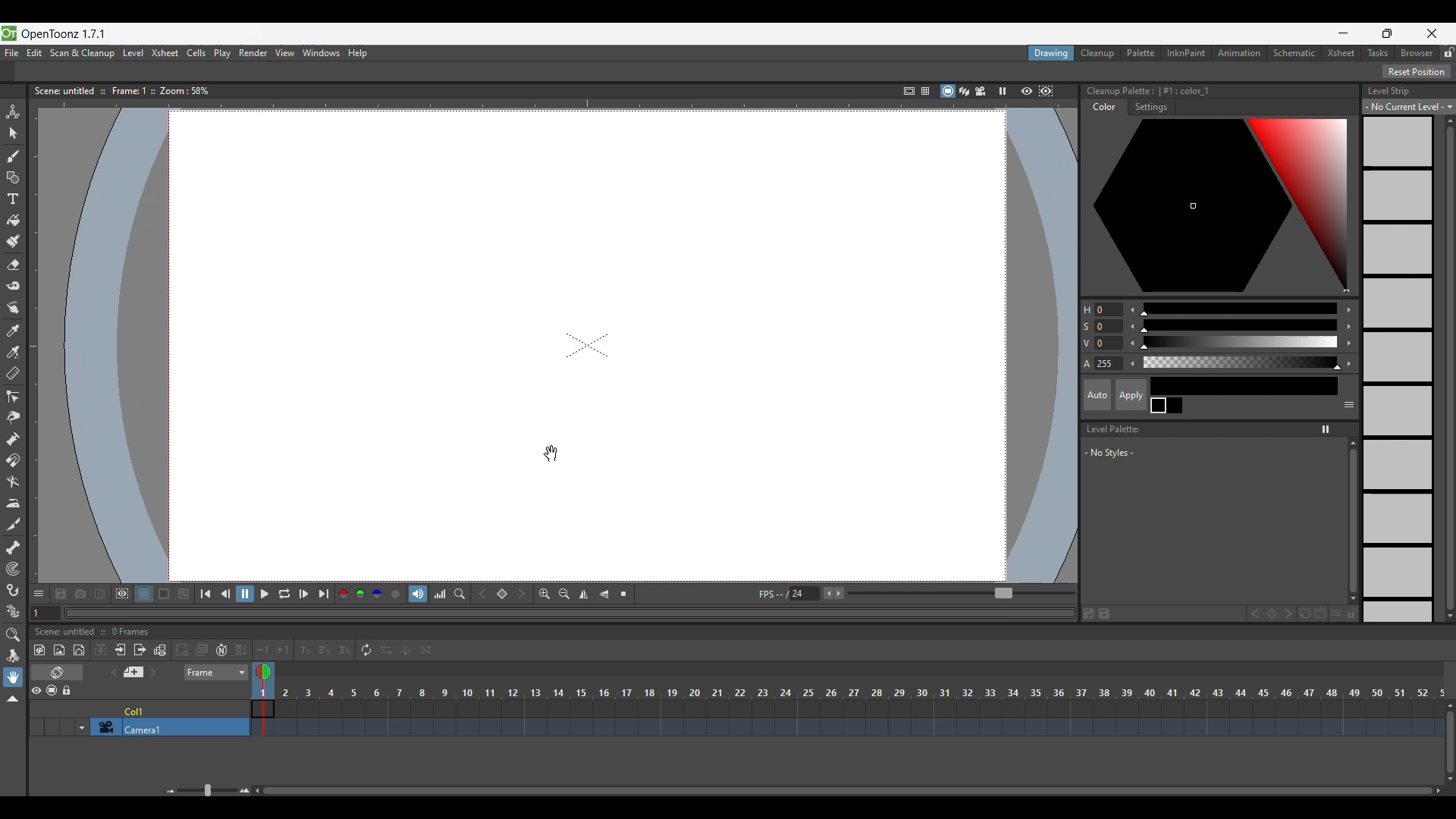 The width and height of the screenshot is (1456, 819). Describe the element at coordinates (1027, 91) in the screenshot. I see `Preview` at that location.